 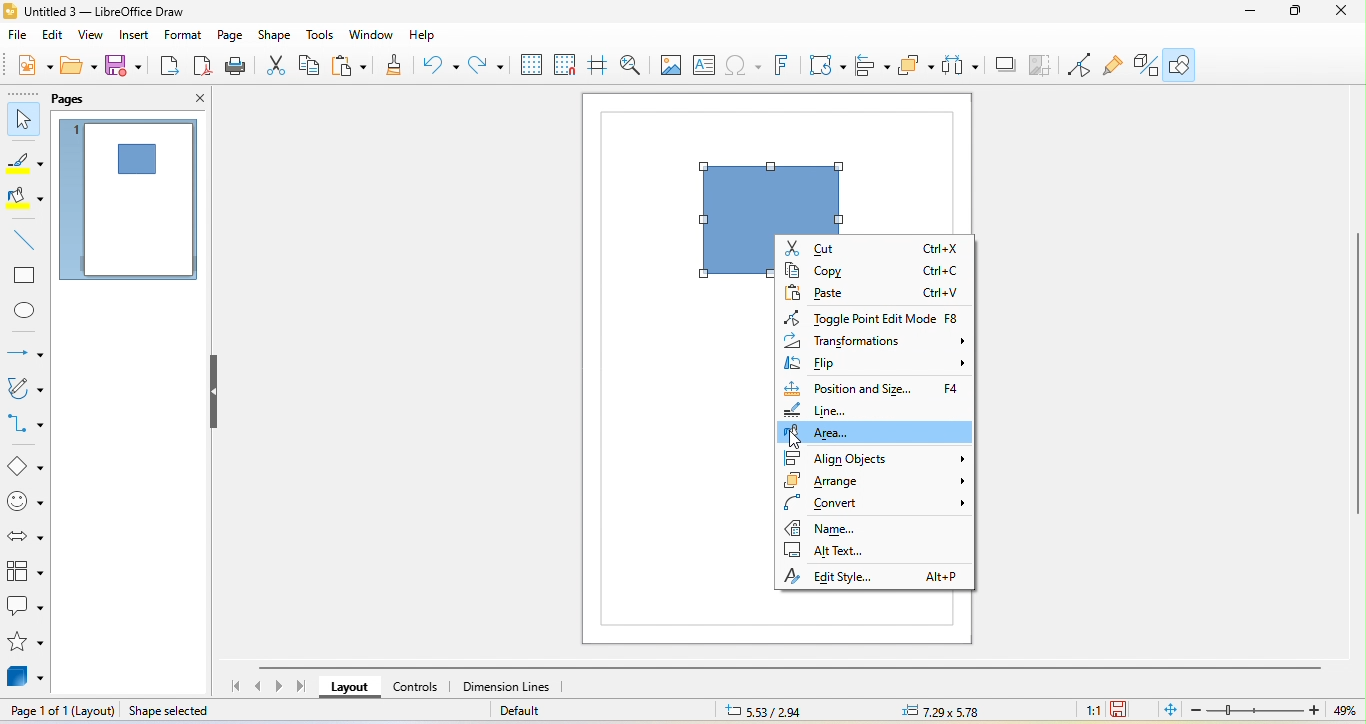 I want to click on print, so click(x=236, y=68).